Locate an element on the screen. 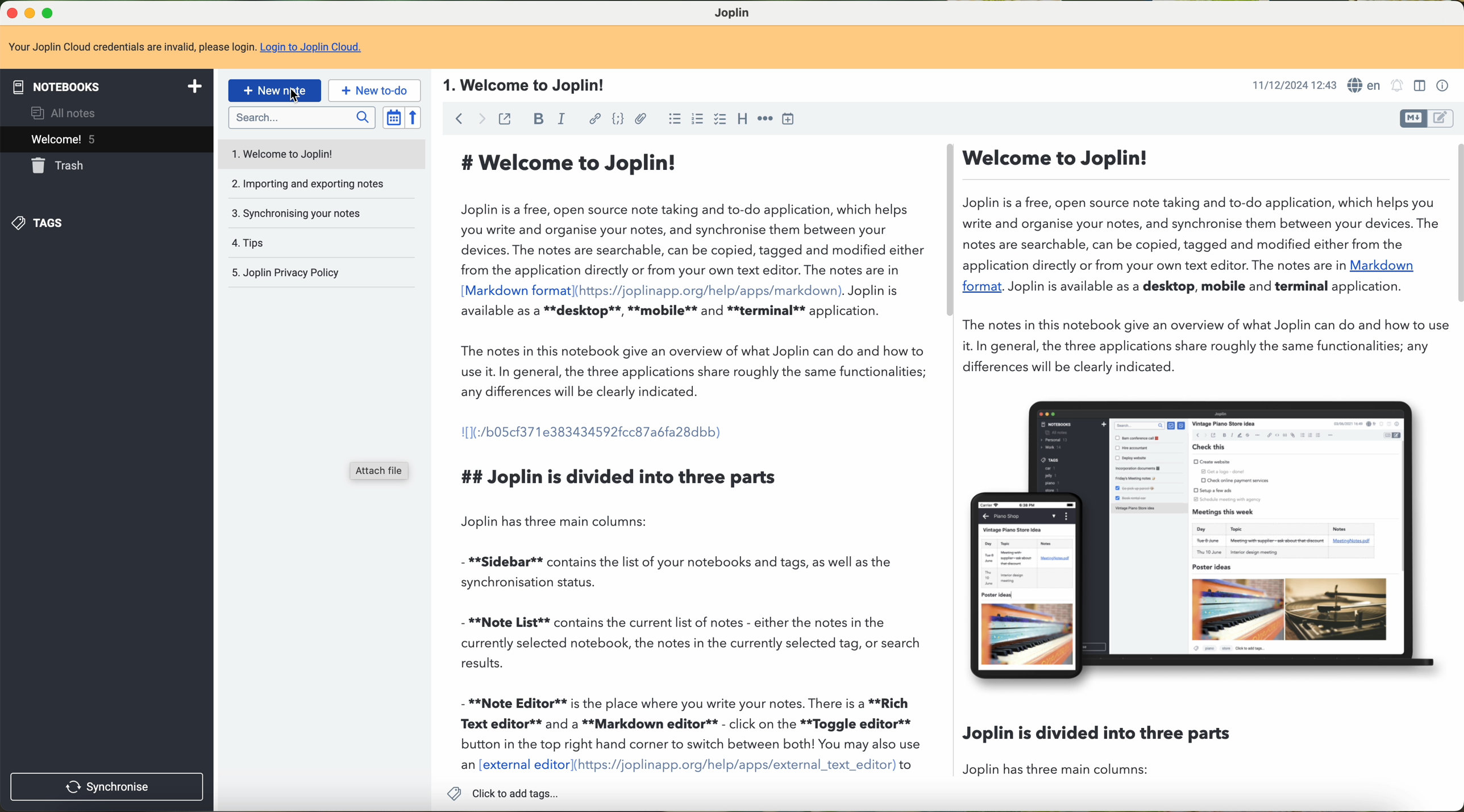  welcome is located at coordinates (107, 140).